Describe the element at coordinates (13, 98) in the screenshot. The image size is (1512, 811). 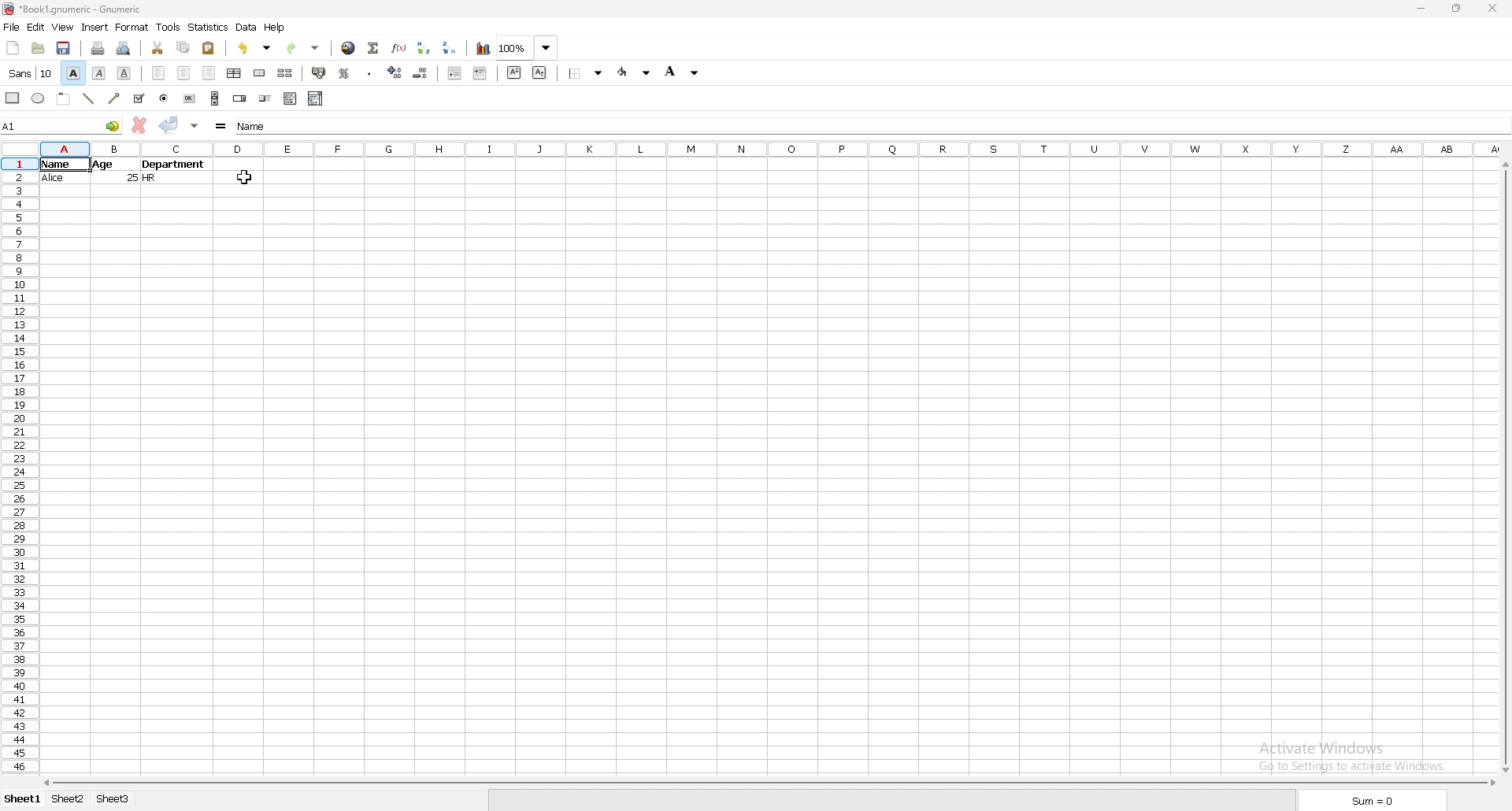
I see `rectangle` at that location.